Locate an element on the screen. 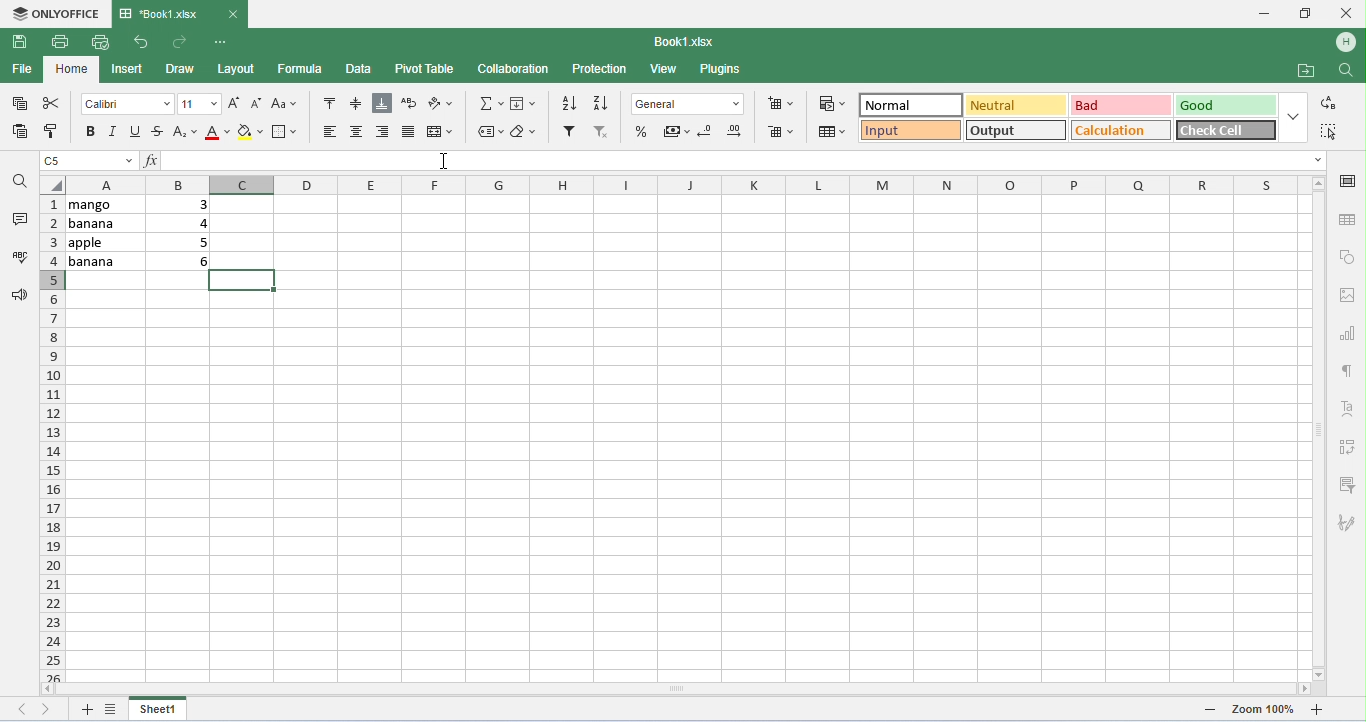  align left is located at coordinates (332, 133).